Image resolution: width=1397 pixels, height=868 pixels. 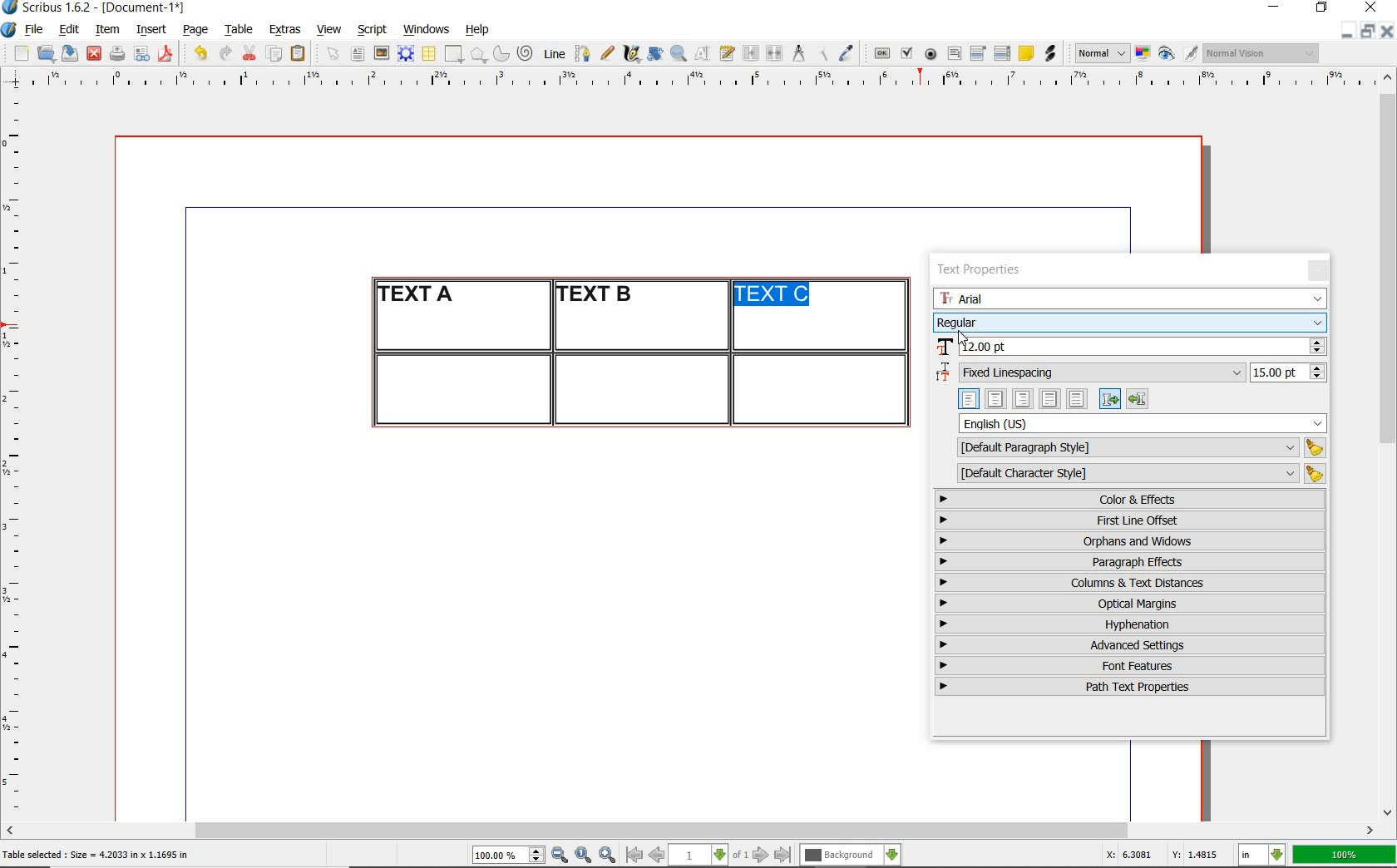 I want to click on save as pdf, so click(x=168, y=53).